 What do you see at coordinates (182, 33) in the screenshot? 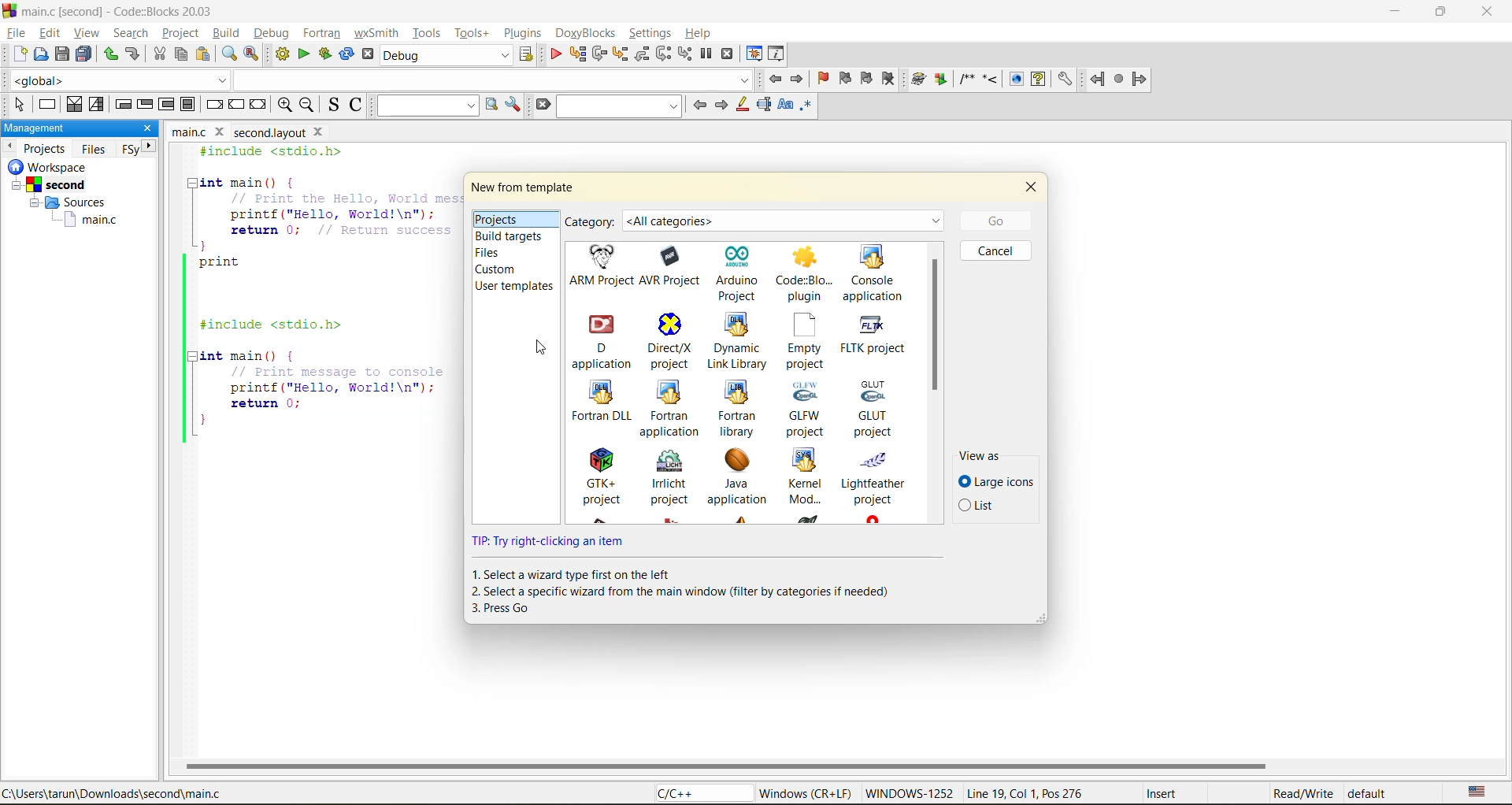
I see `project` at bounding box center [182, 33].